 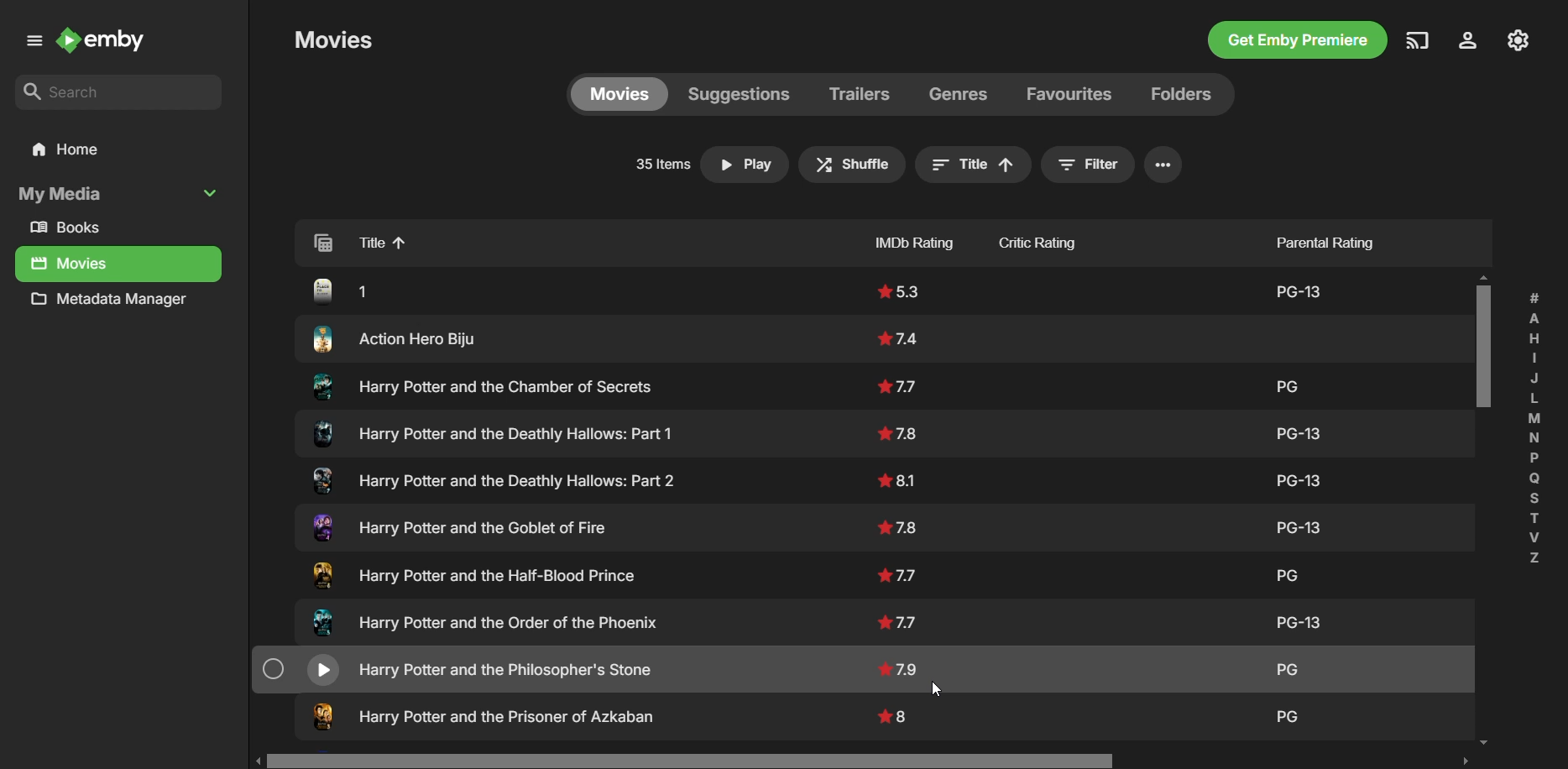 What do you see at coordinates (1283, 665) in the screenshot?
I see `` at bounding box center [1283, 665].